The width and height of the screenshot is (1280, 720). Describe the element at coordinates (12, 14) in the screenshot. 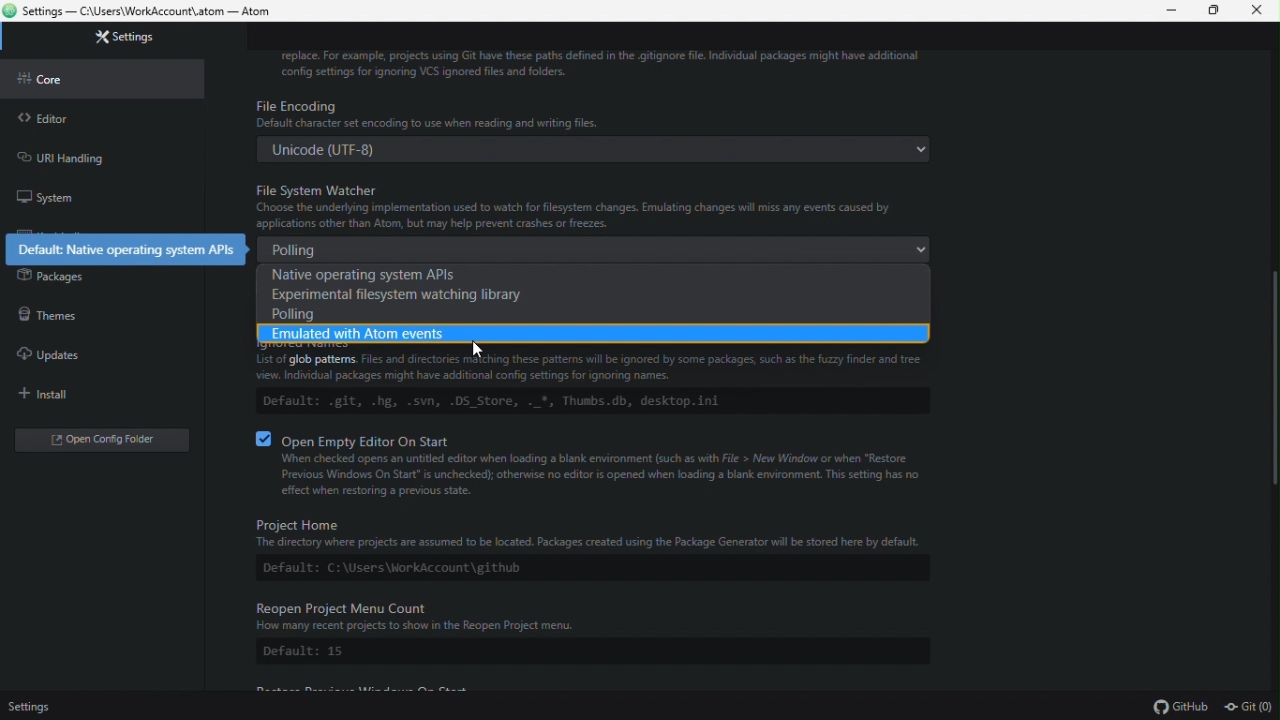

I see `atom logo` at that location.